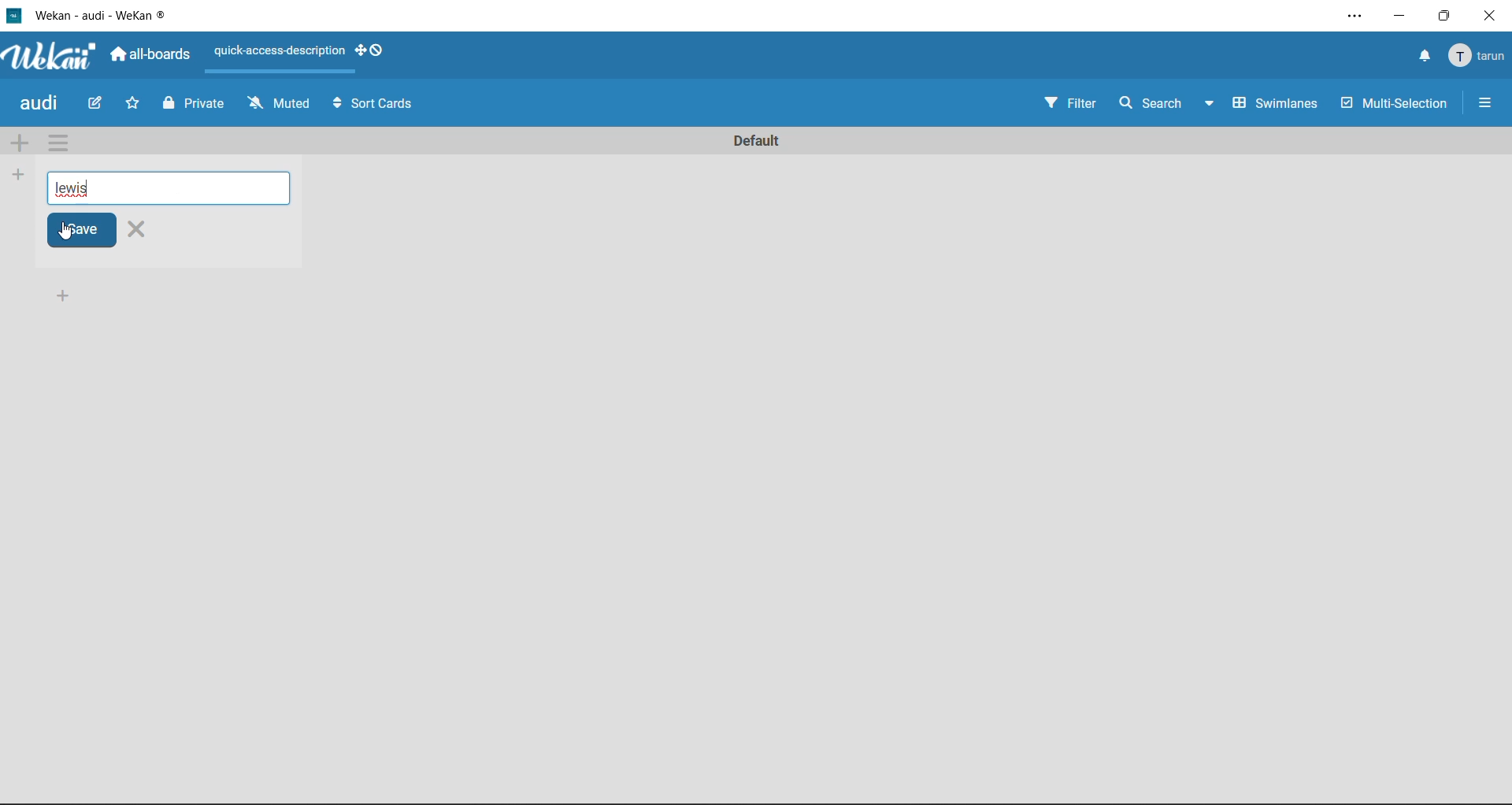  I want to click on lewis, so click(177, 188).